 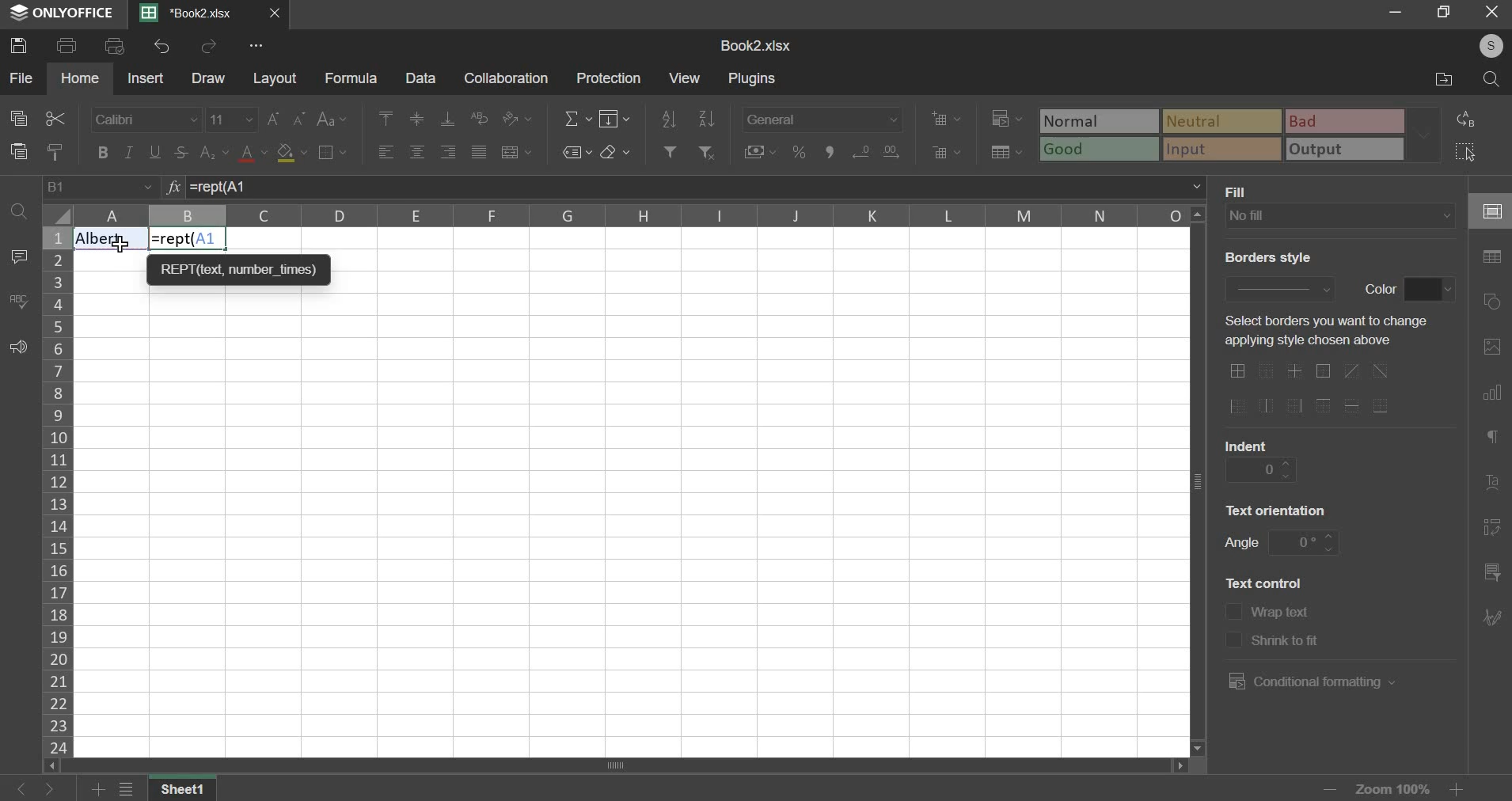 I want to click on save, so click(x=18, y=45).